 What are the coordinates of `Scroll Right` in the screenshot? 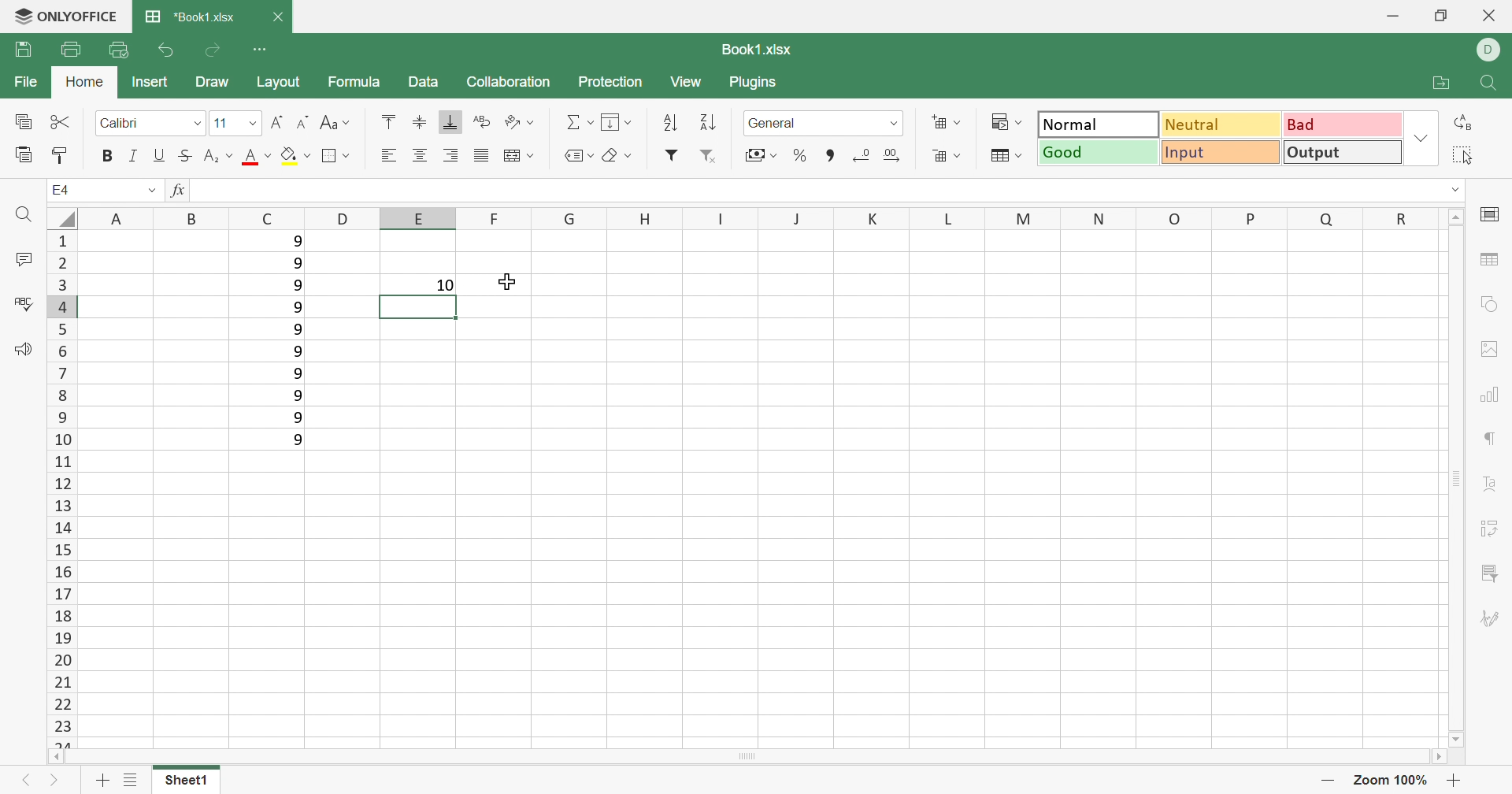 It's located at (1440, 759).